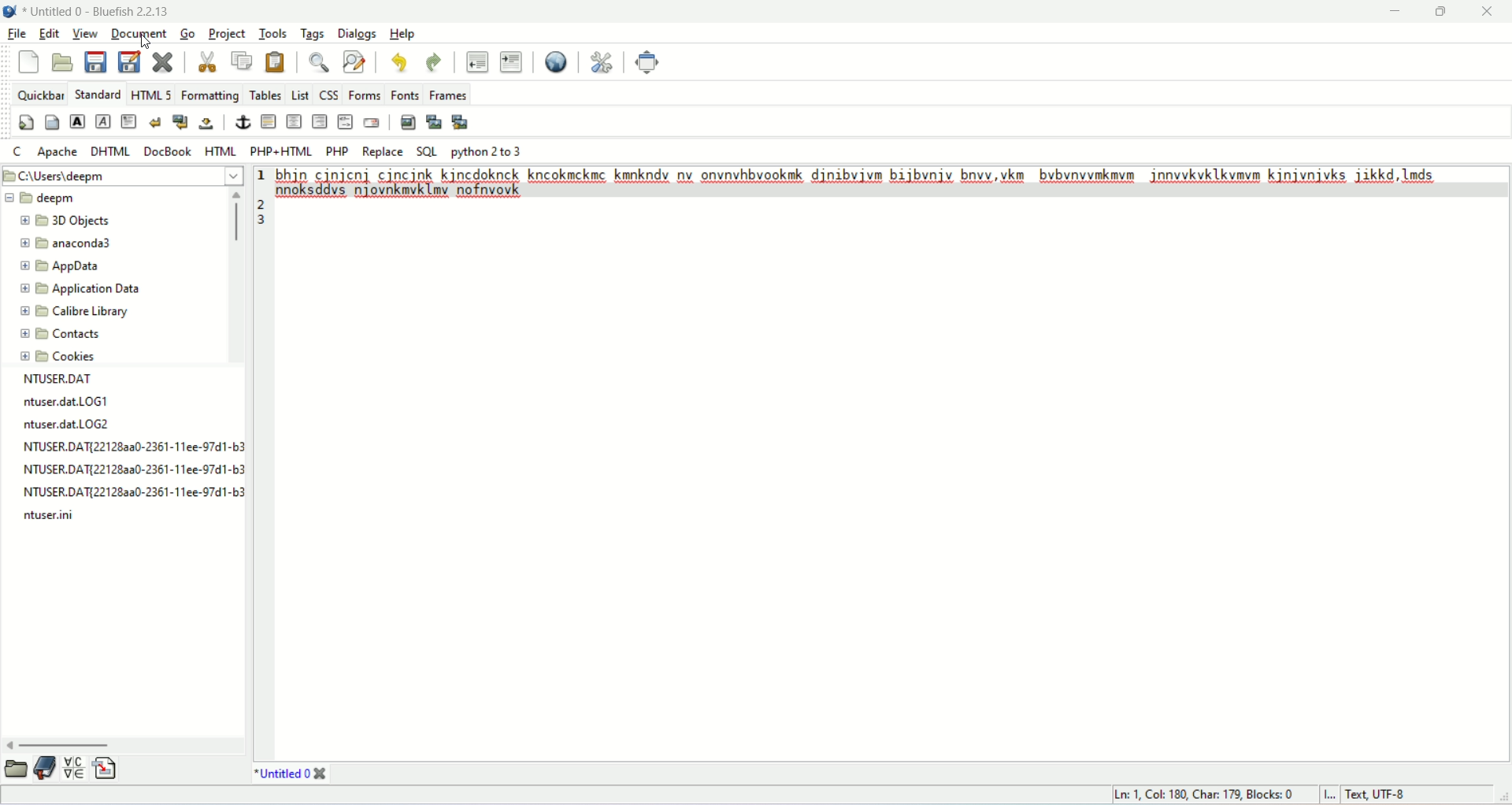 Image resolution: width=1512 pixels, height=805 pixels. I want to click on file name, so click(130, 468).